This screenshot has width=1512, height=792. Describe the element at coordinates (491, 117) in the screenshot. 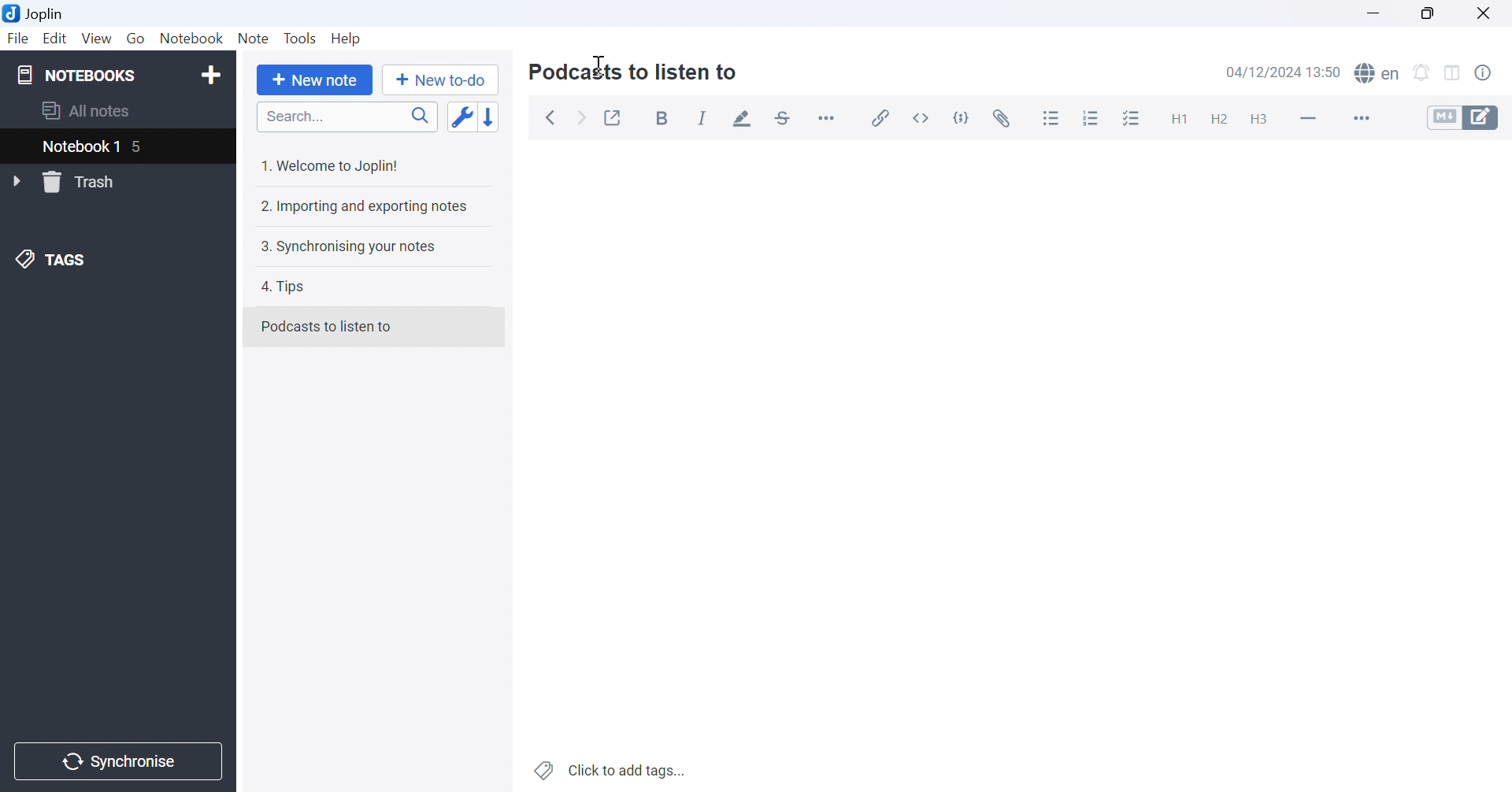

I see `Reverse sort order` at that location.